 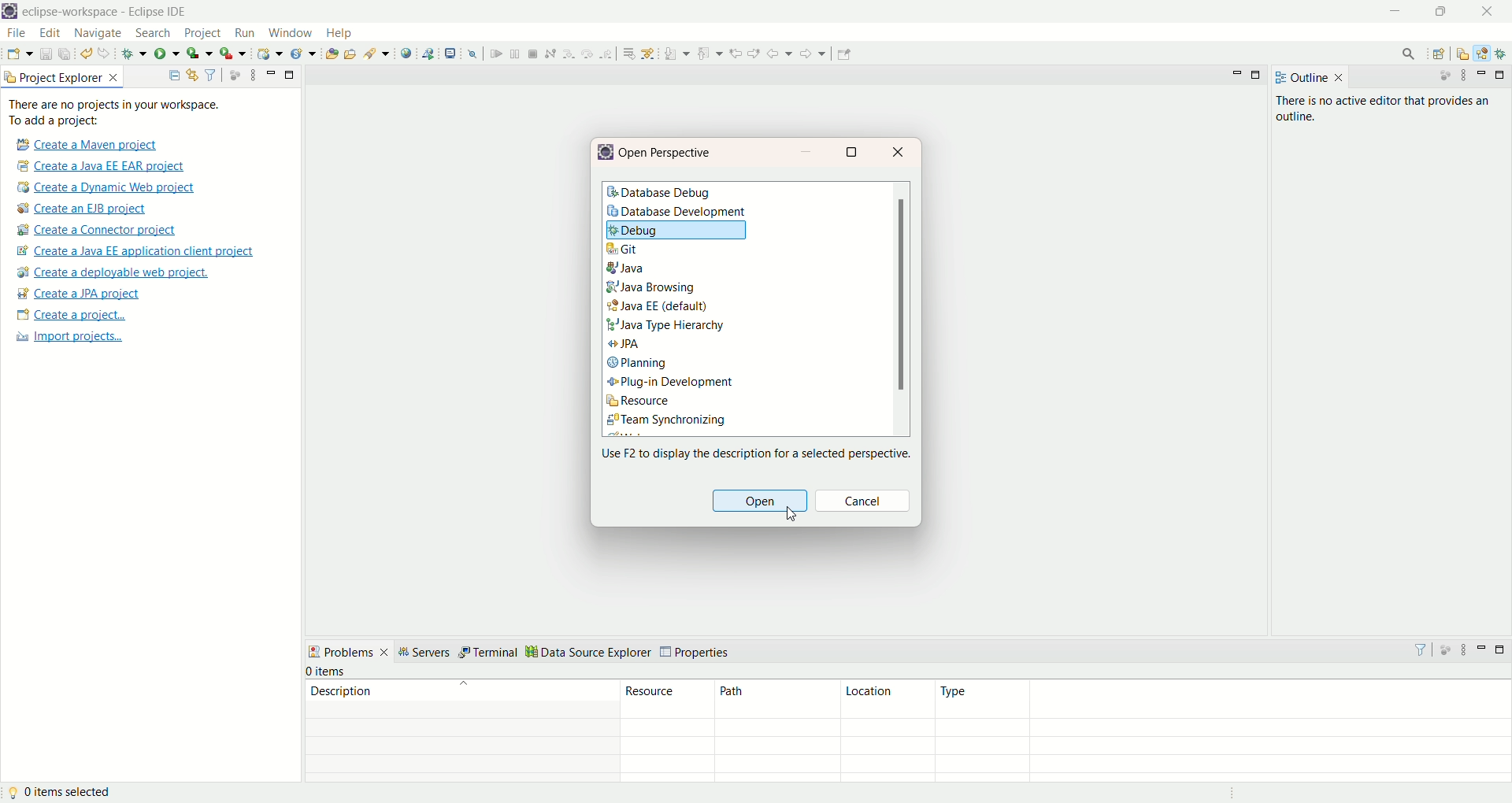 What do you see at coordinates (82, 143) in the screenshot?
I see `create a Maven project` at bounding box center [82, 143].